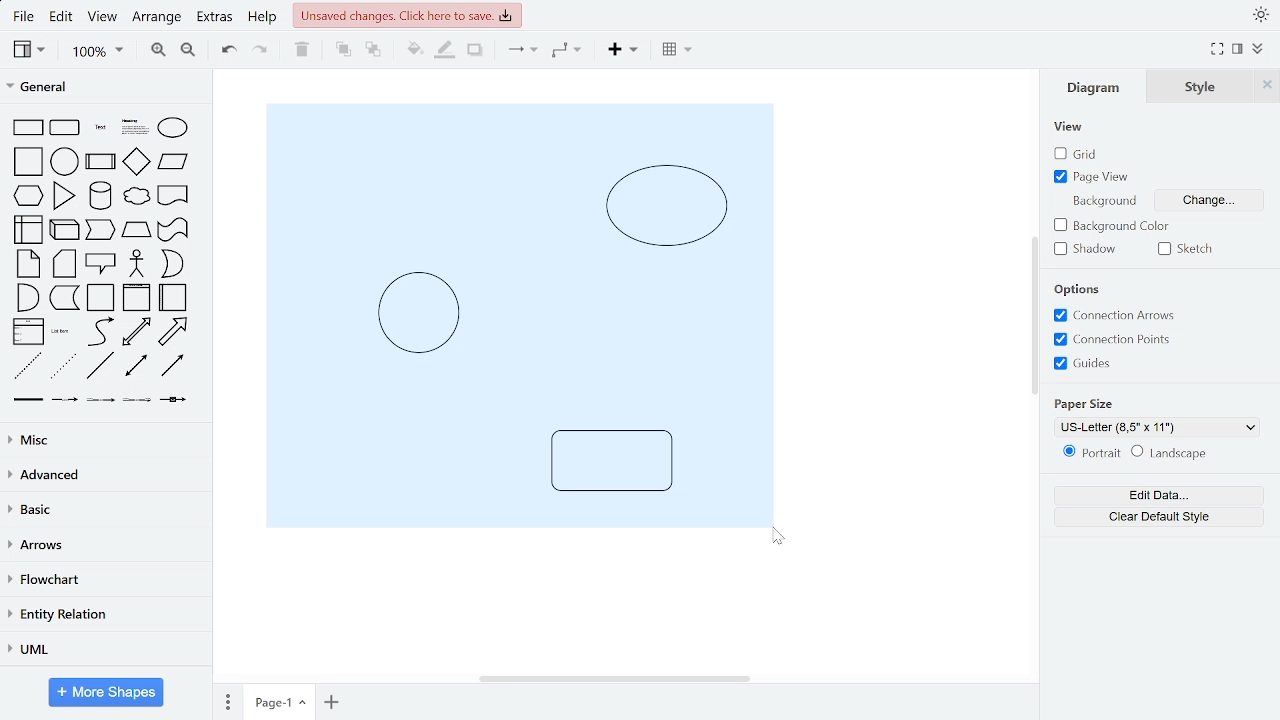 This screenshot has height=720, width=1280. I want to click on clear default style, so click(1158, 515).